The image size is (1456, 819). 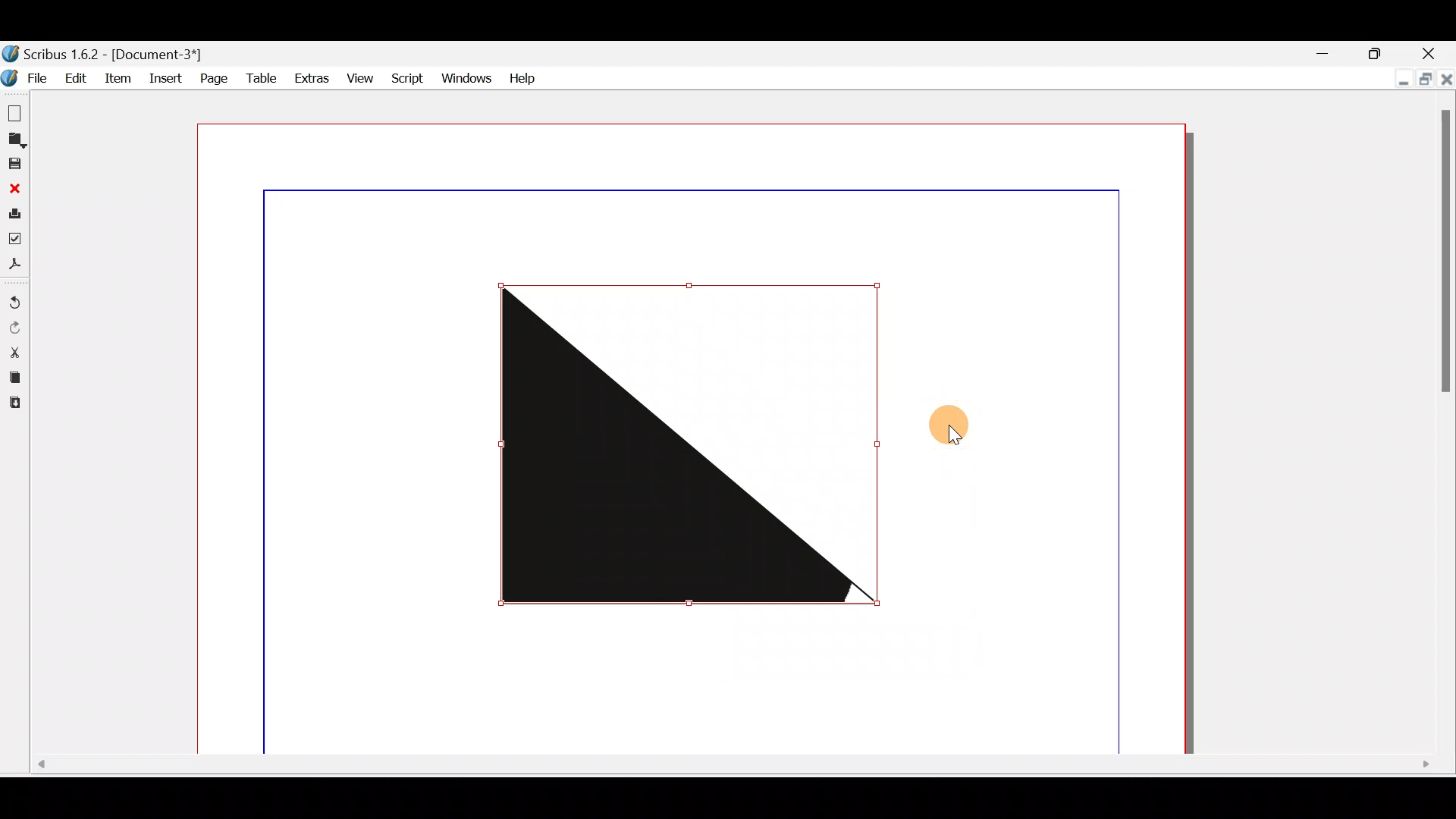 I want to click on Save as PDF, so click(x=17, y=263).